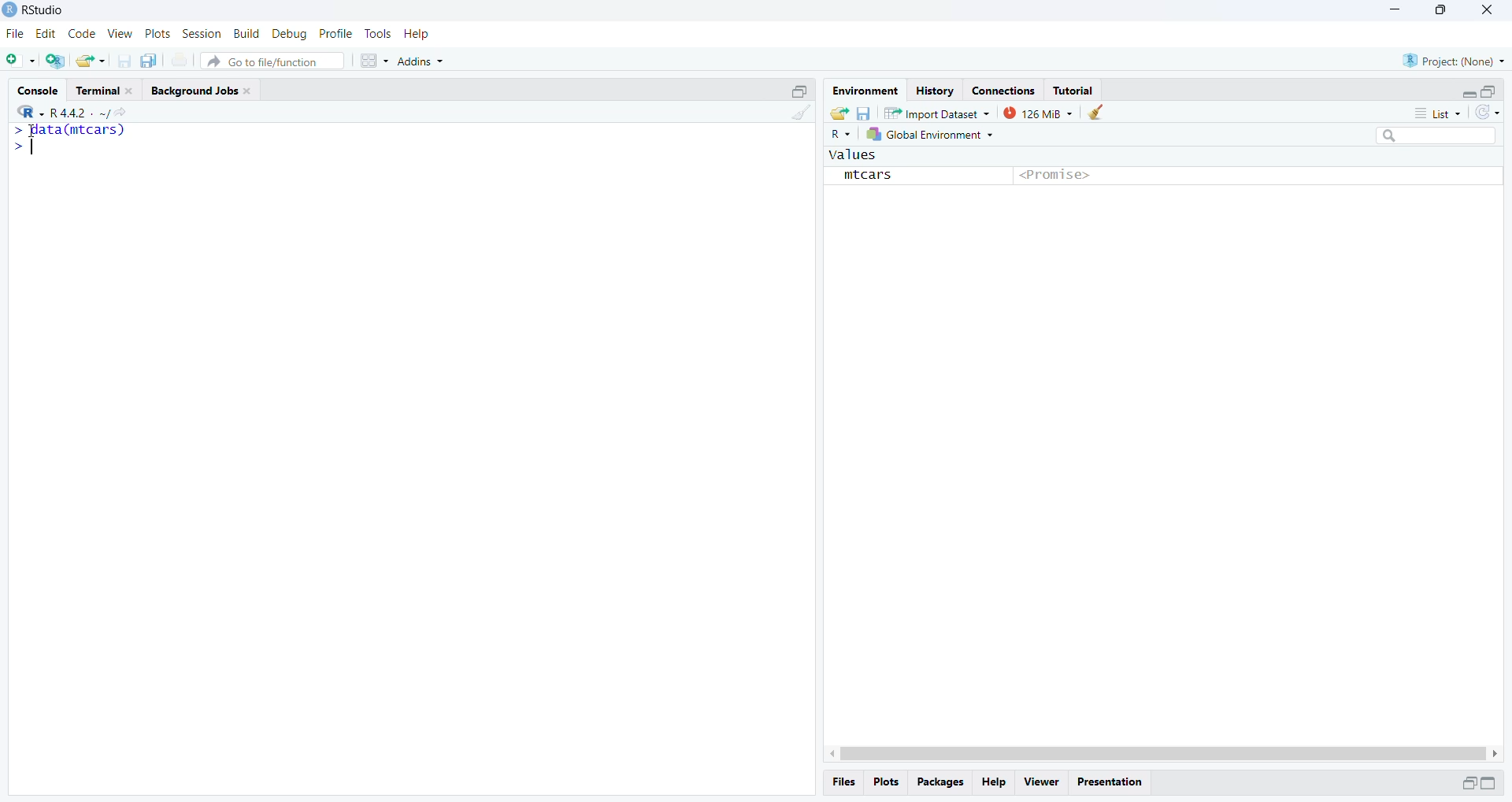 The image size is (1512, 802). What do you see at coordinates (1437, 112) in the screenshot?
I see `List` at bounding box center [1437, 112].